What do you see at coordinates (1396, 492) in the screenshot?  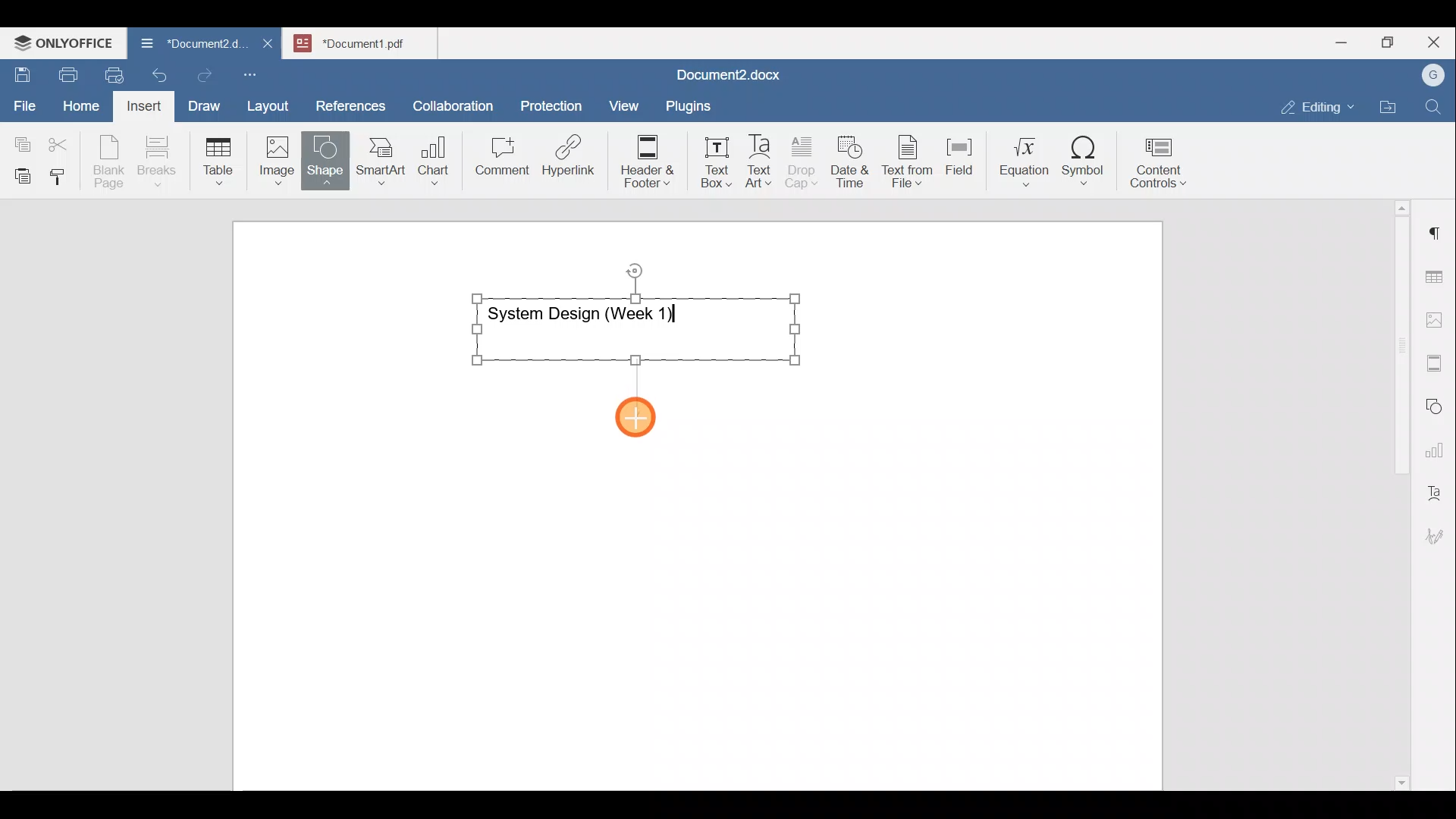 I see `Scroll bar` at bounding box center [1396, 492].